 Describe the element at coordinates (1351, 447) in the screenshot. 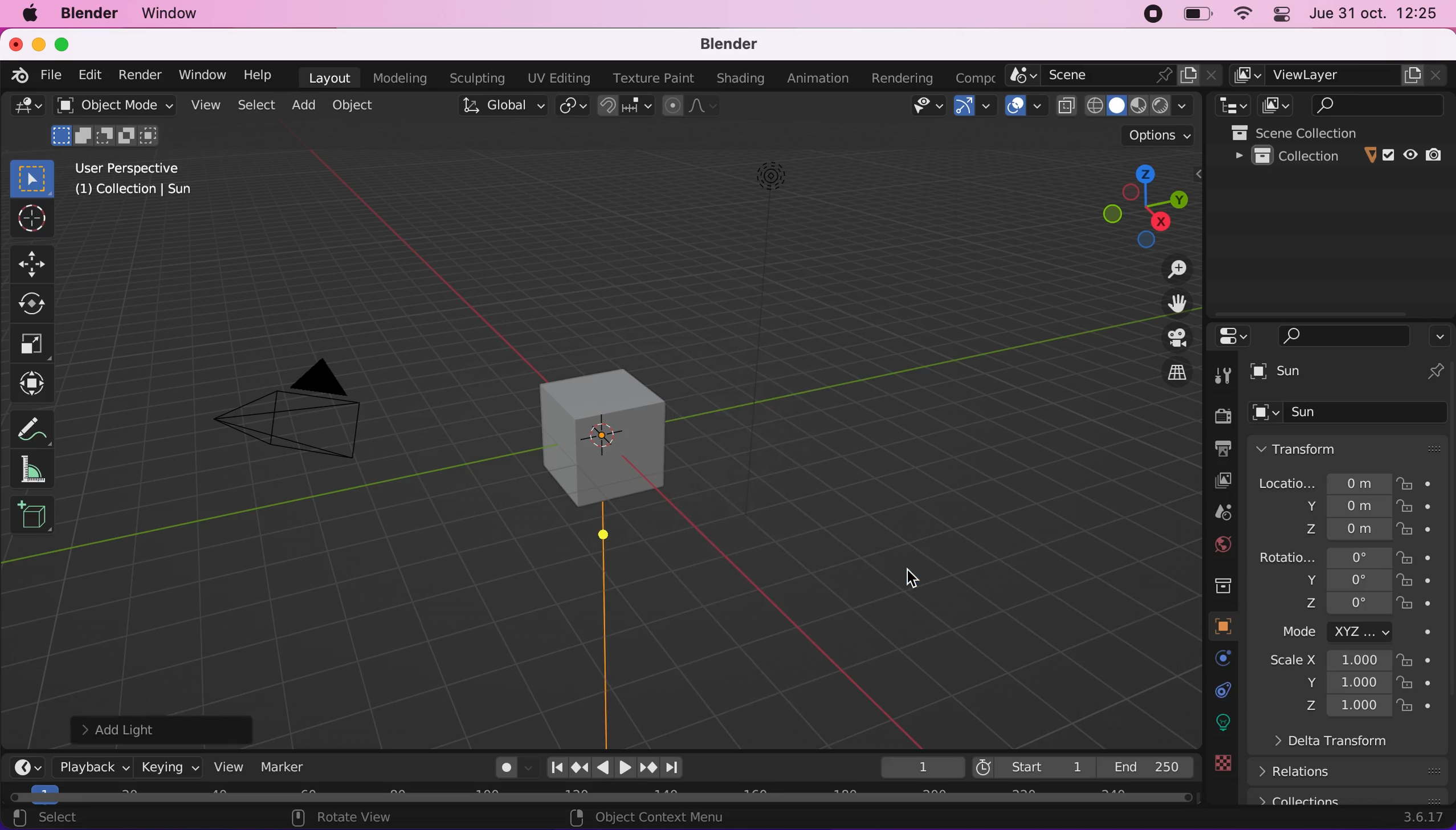

I see `transform` at that location.